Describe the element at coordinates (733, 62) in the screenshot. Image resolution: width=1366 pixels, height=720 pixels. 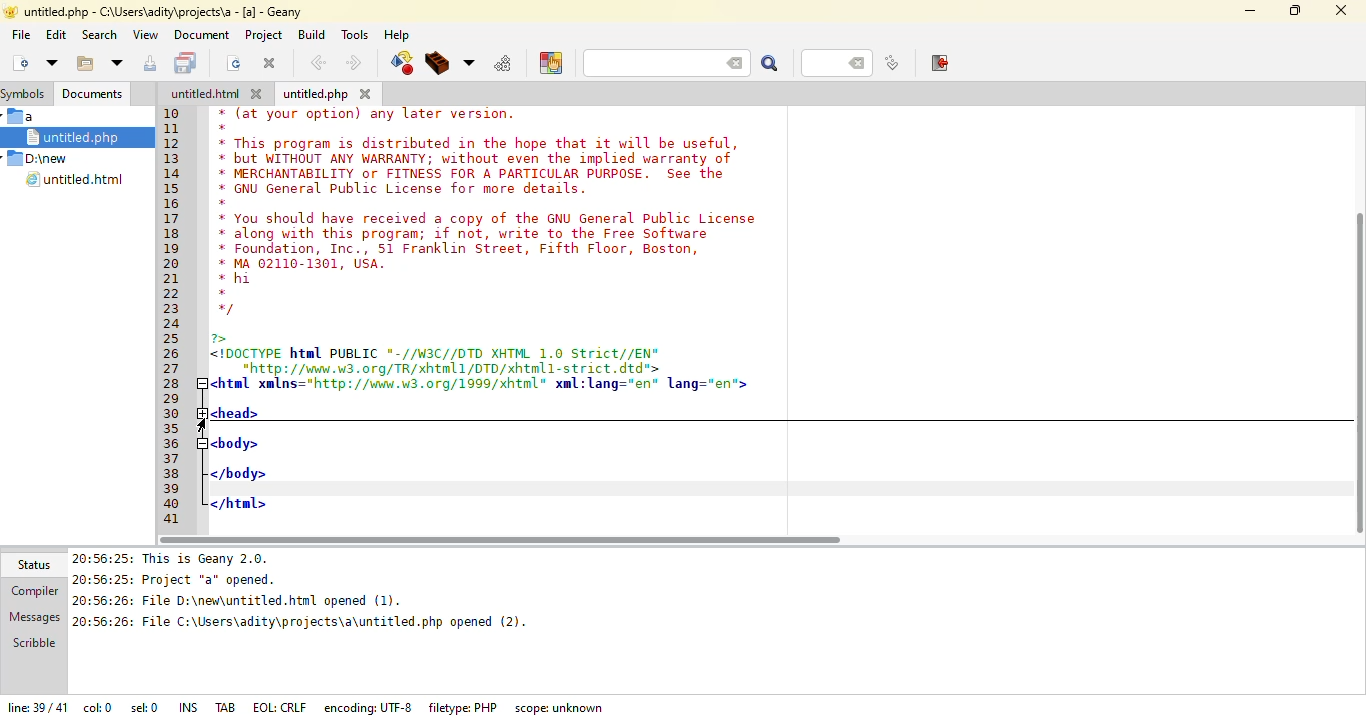
I see `back space` at that location.